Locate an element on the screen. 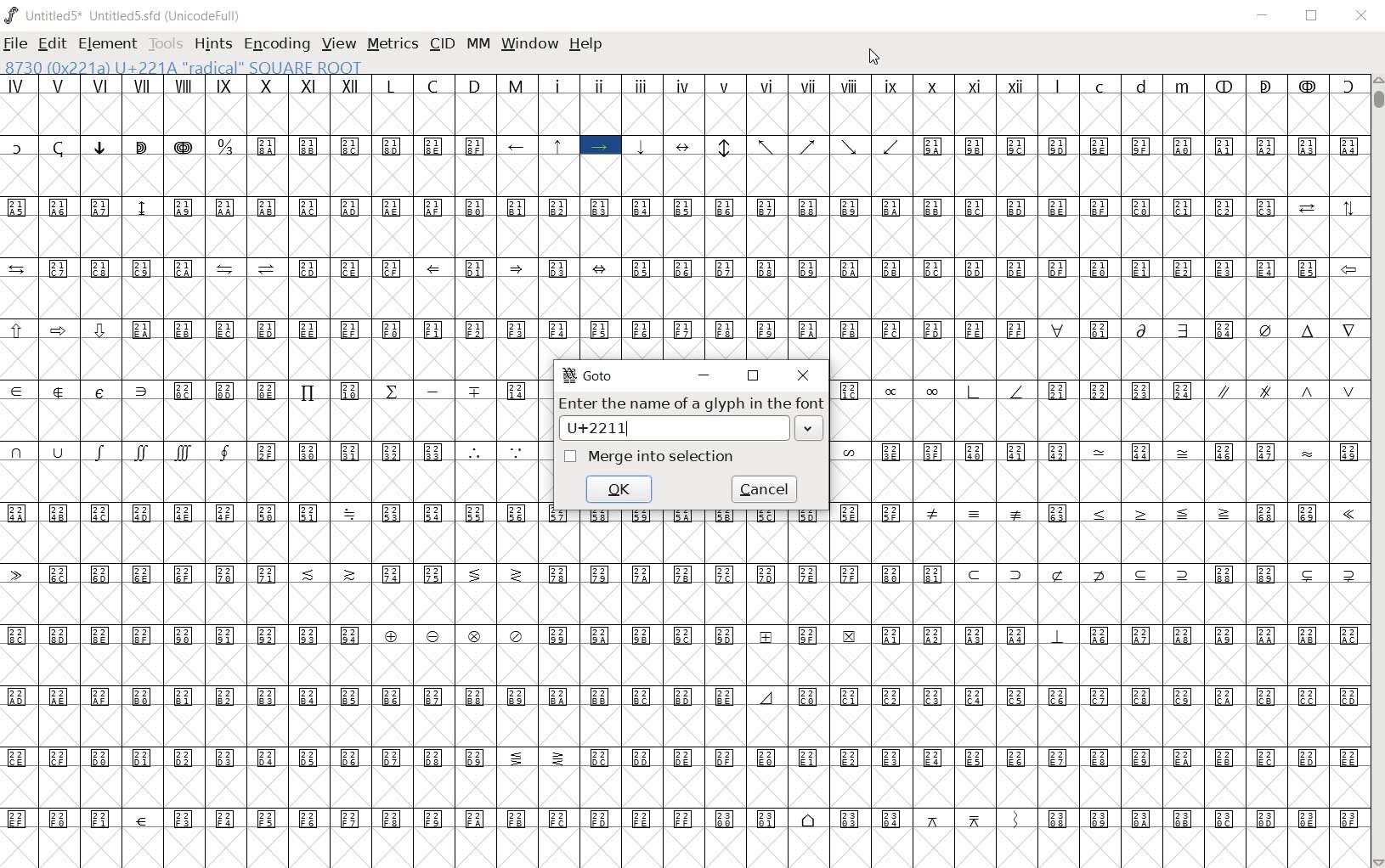 The image size is (1385, 868). 8730 (0X221a) U+221a "radical" SQUARE ROOT is located at coordinates (184, 66).